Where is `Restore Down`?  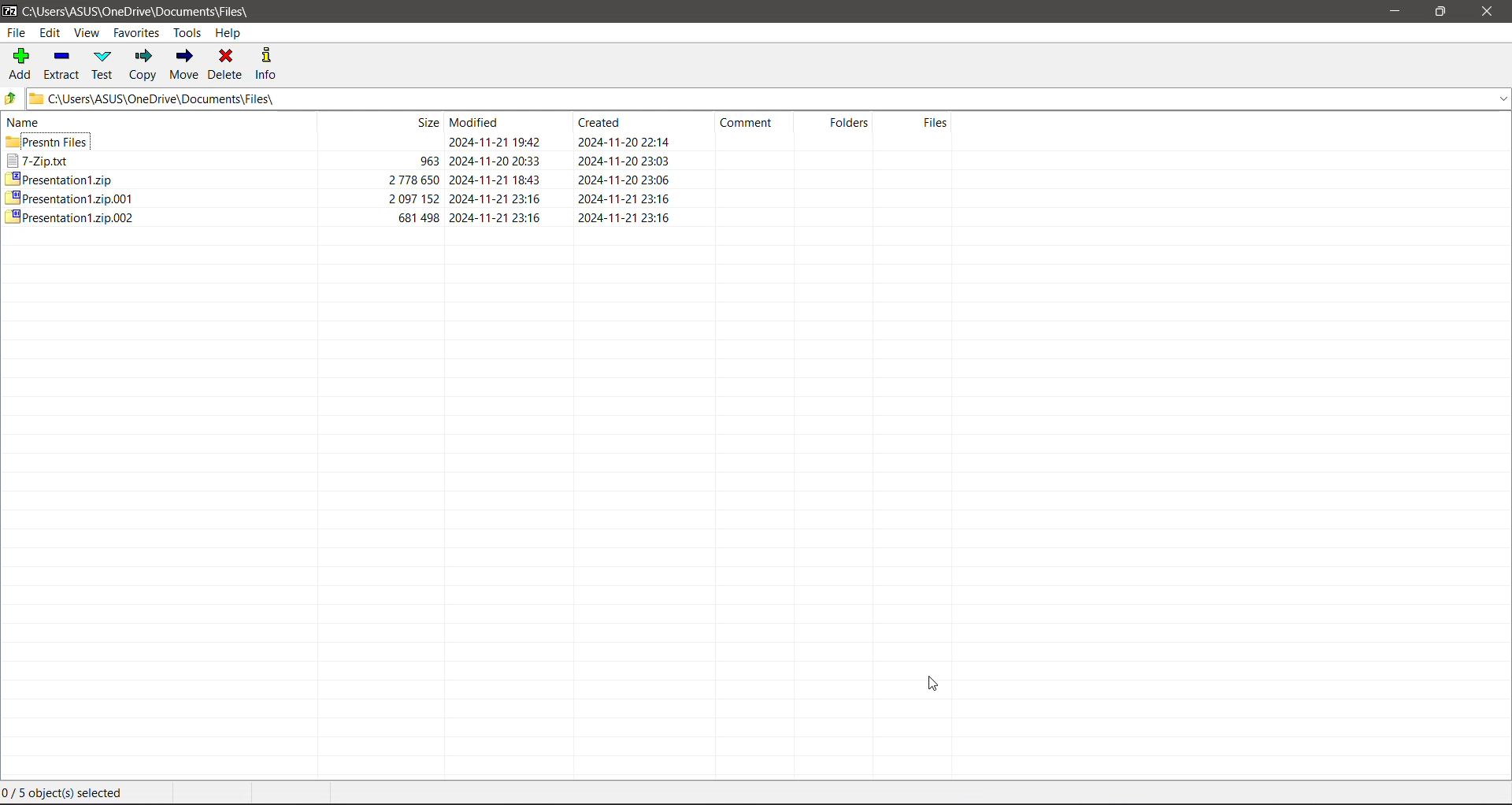 Restore Down is located at coordinates (1442, 12).